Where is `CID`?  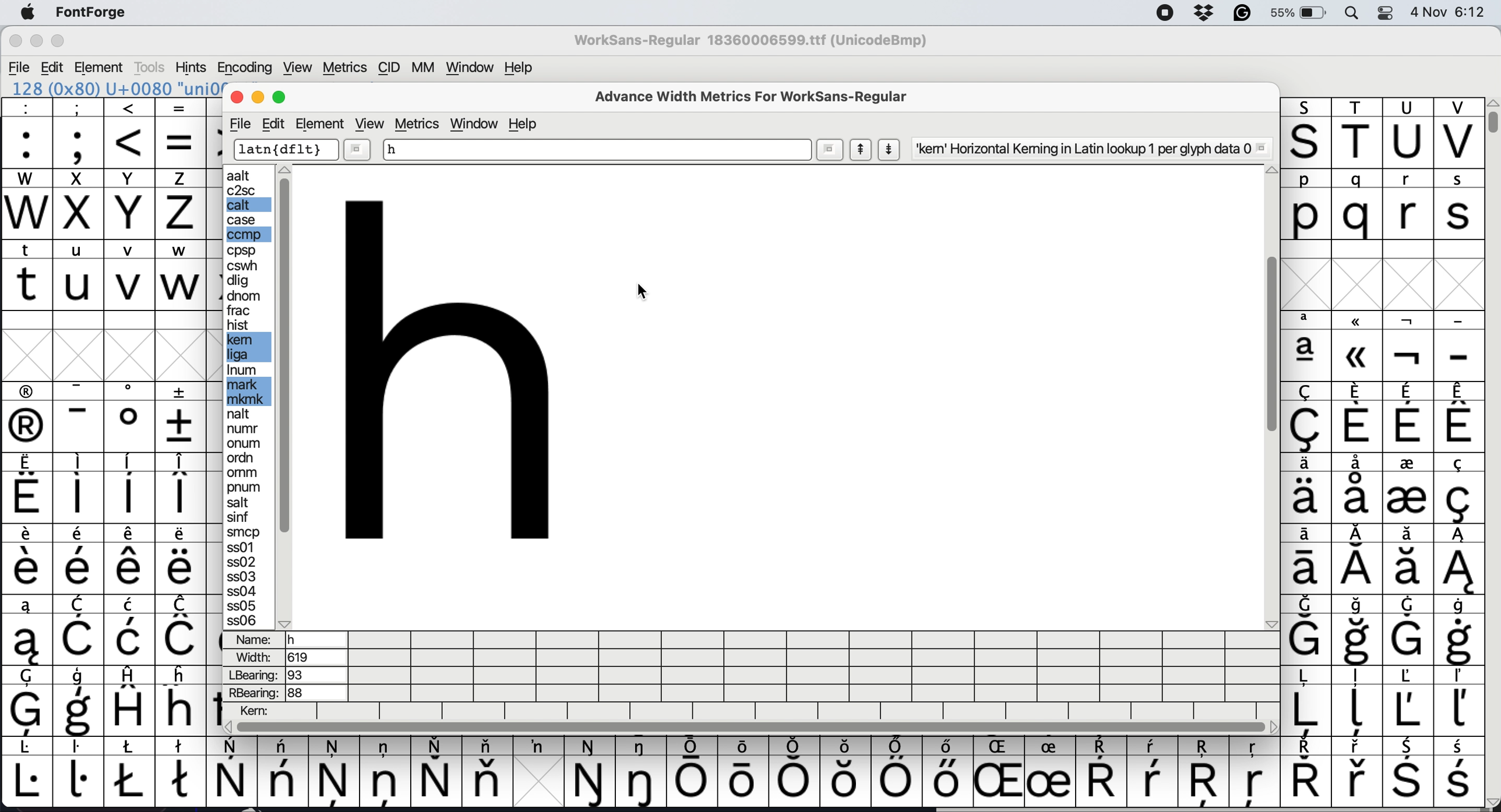 CID is located at coordinates (390, 68).